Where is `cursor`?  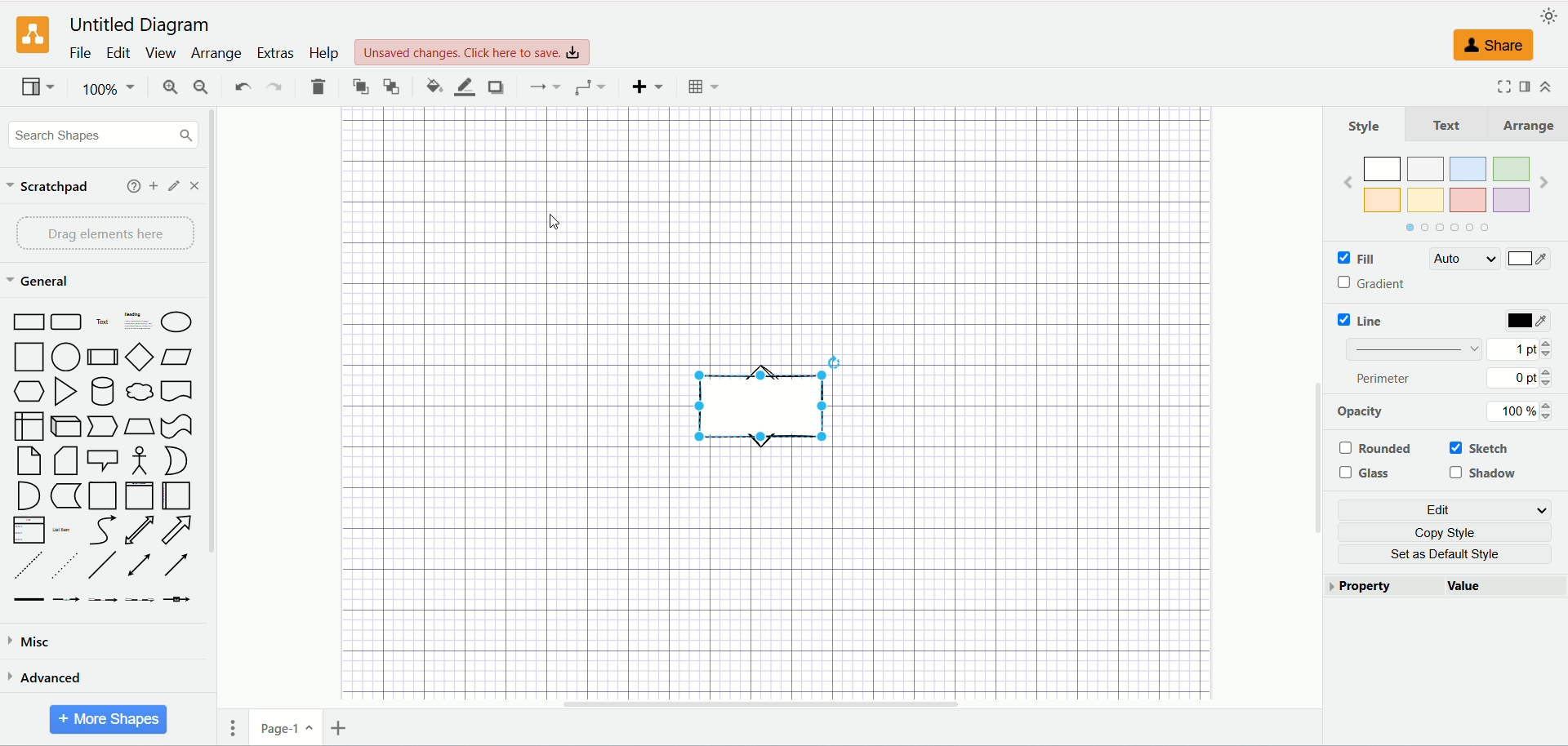 cursor is located at coordinates (555, 224).